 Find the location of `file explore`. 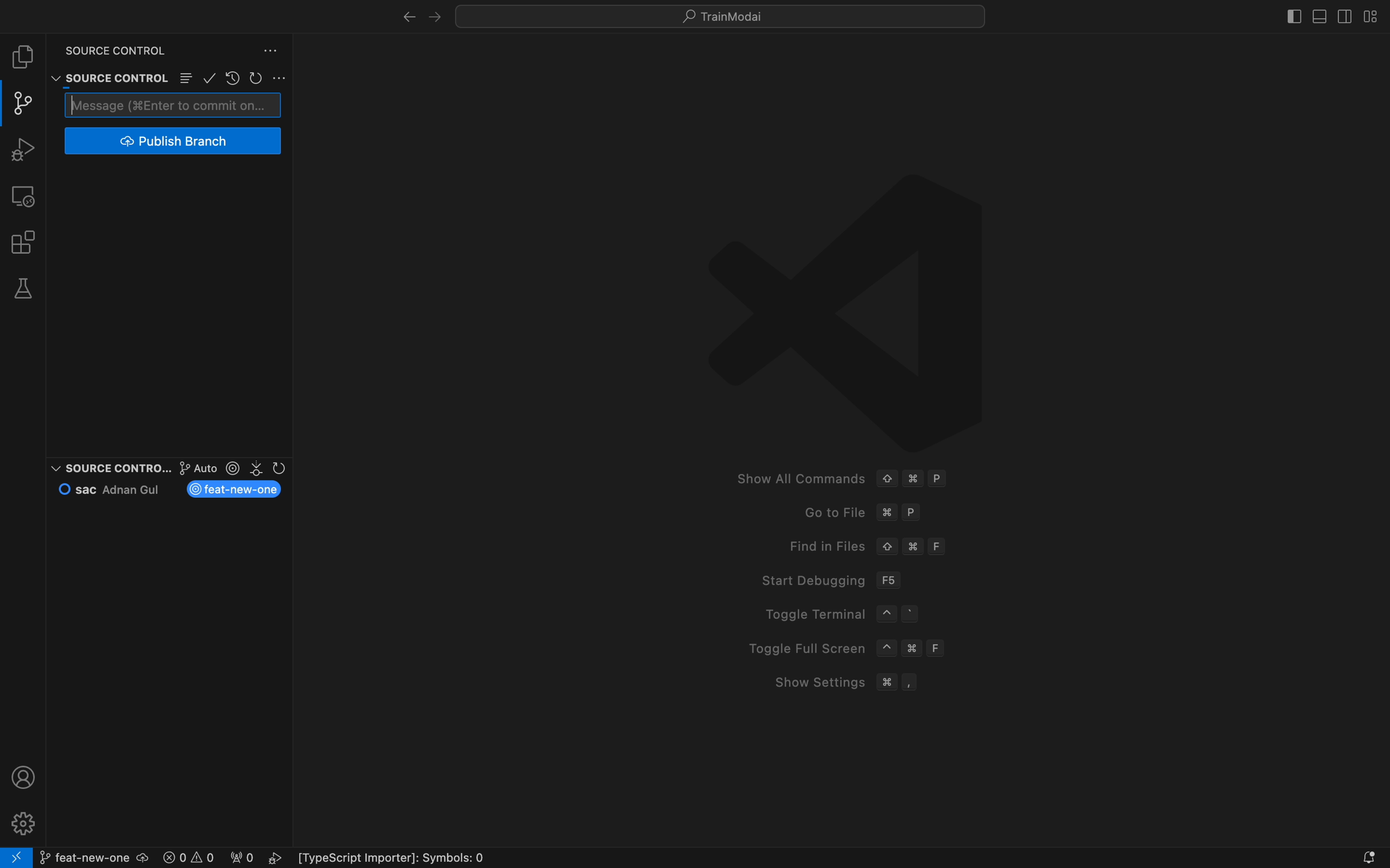

file explore is located at coordinates (25, 57).